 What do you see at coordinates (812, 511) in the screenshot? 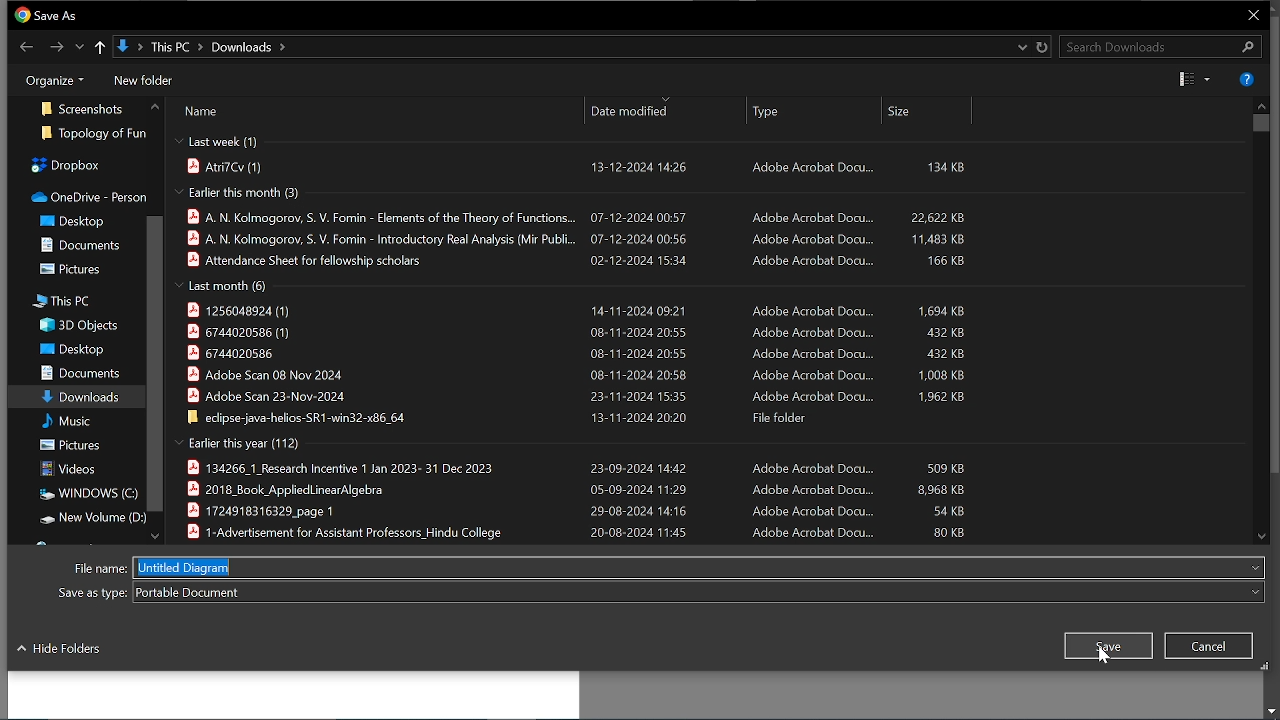
I see `‘Adobe Acrobat Docu...` at bounding box center [812, 511].